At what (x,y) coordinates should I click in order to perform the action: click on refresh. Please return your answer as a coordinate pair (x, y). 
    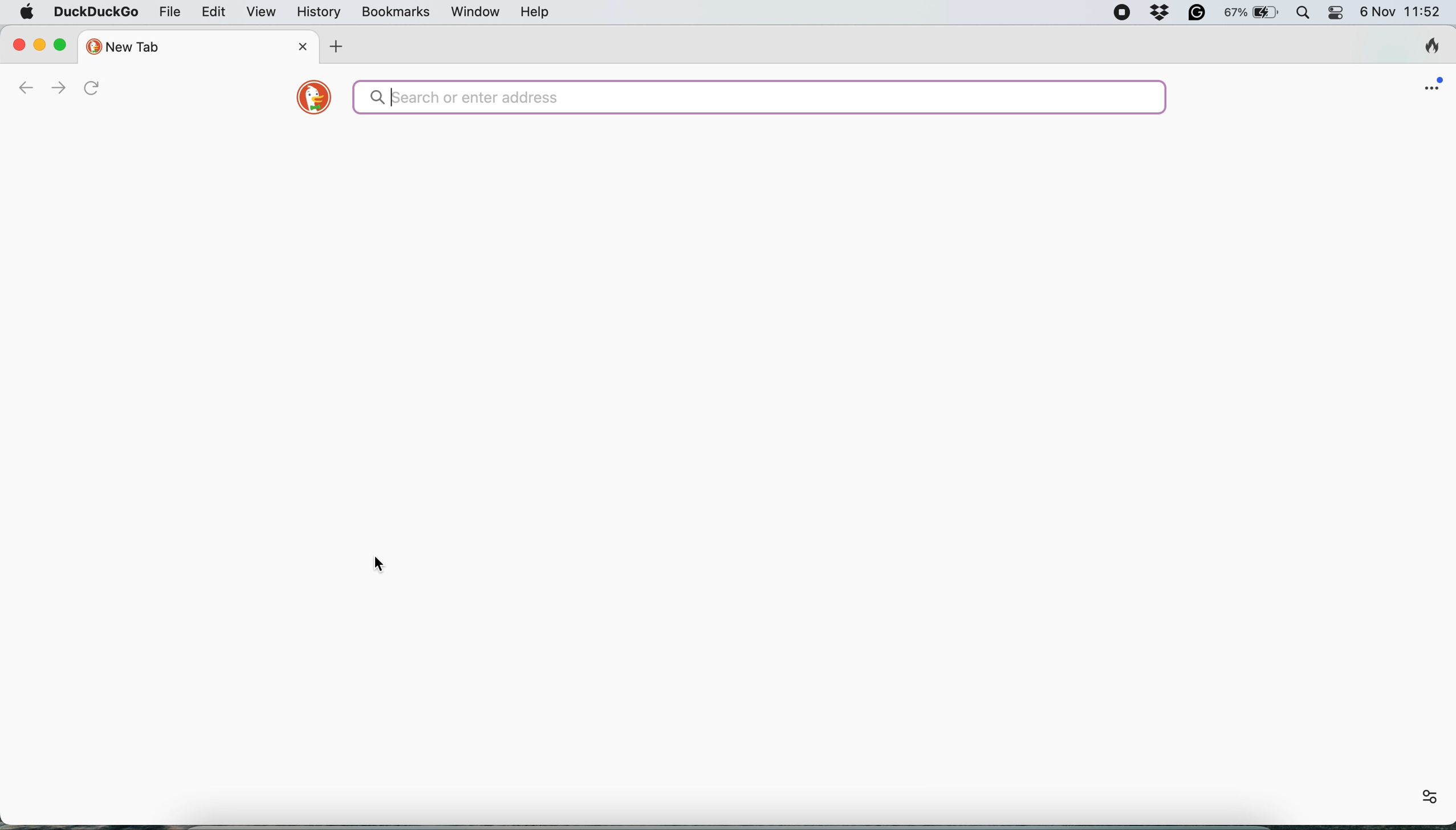
    Looking at the image, I should click on (96, 88).